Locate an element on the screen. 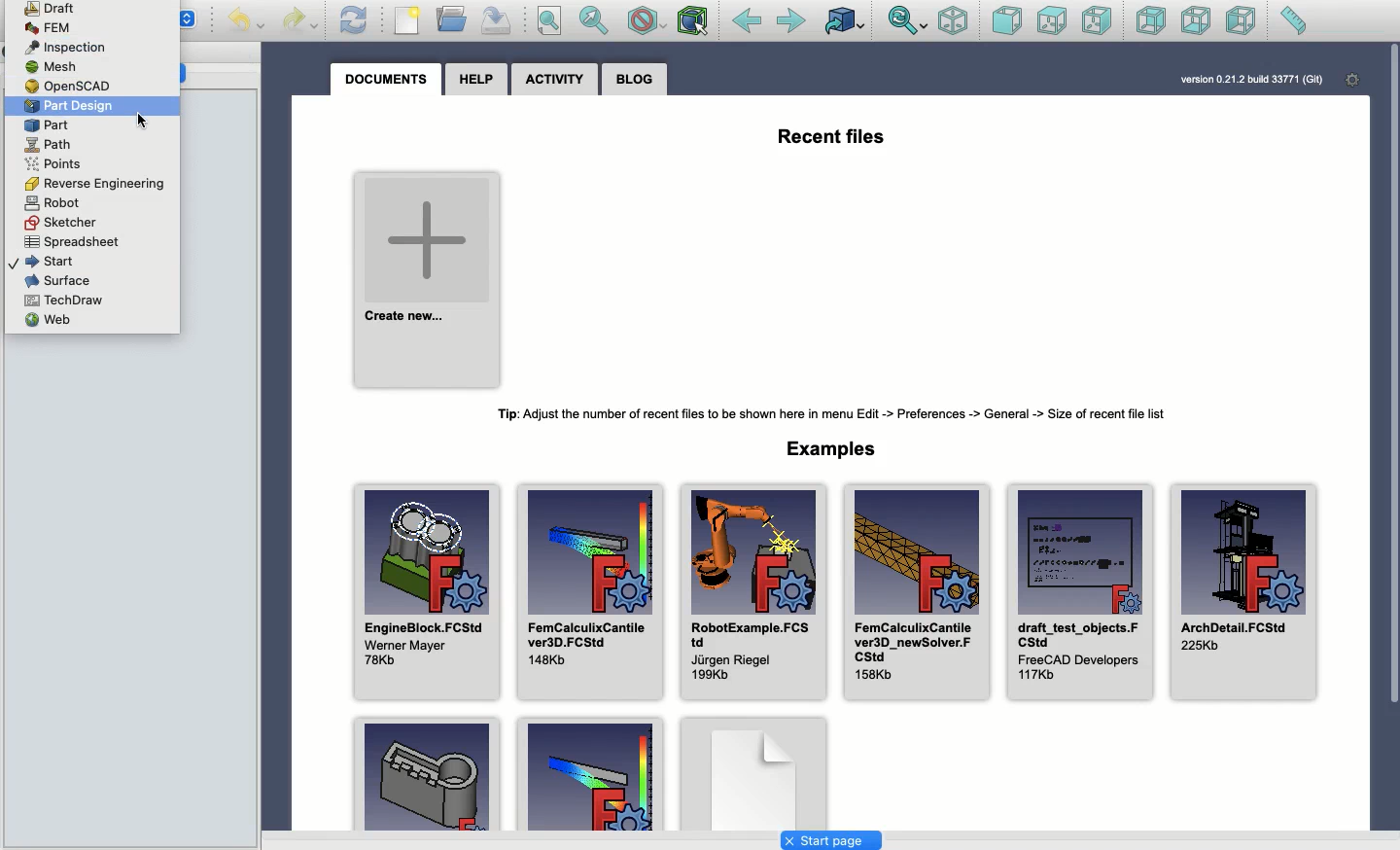 The image size is (1400, 850). version 0.21.2 bud 33771 (Git) is located at coordinates (1250, 79).